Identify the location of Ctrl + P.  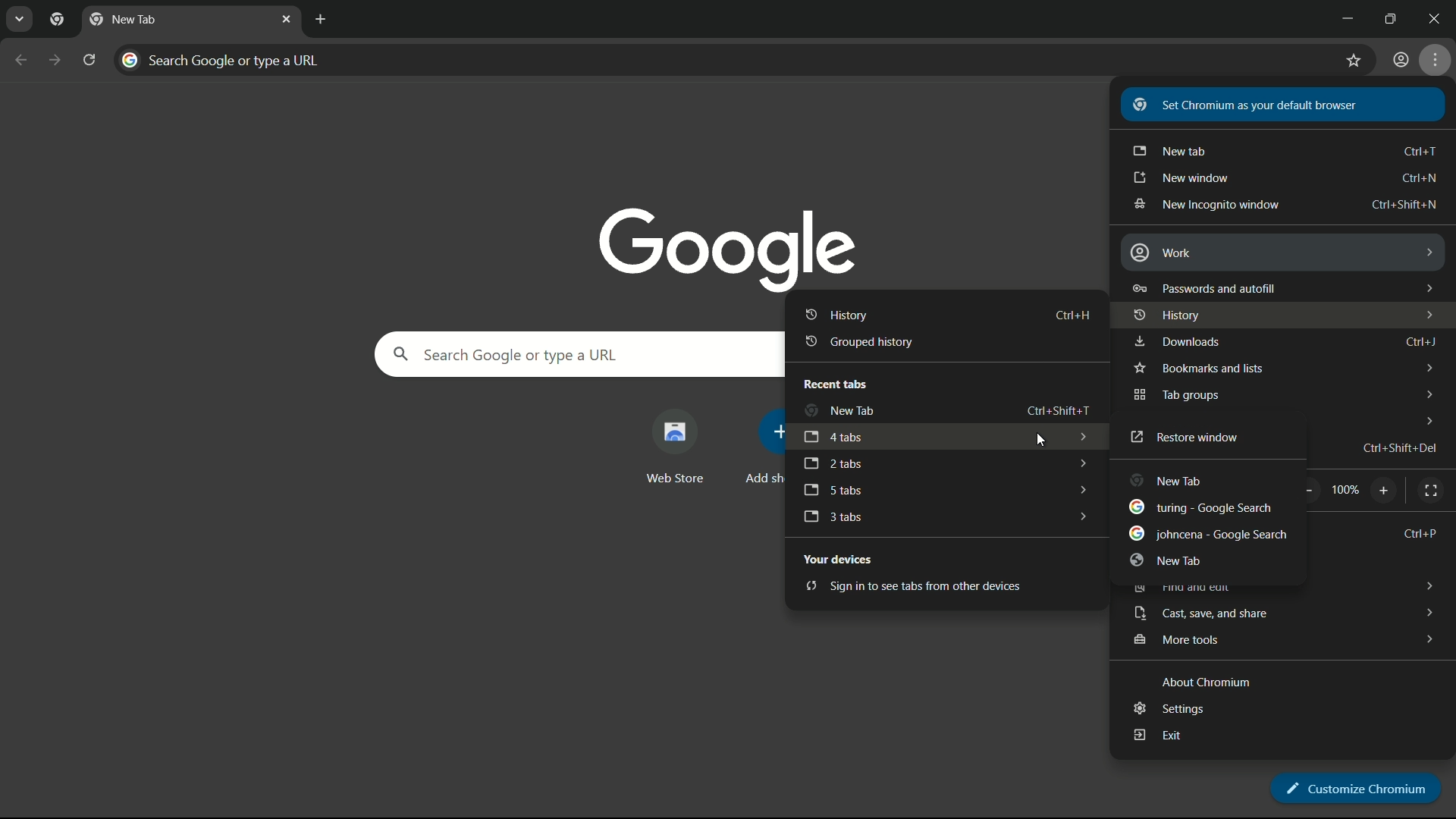
(1421, 534).